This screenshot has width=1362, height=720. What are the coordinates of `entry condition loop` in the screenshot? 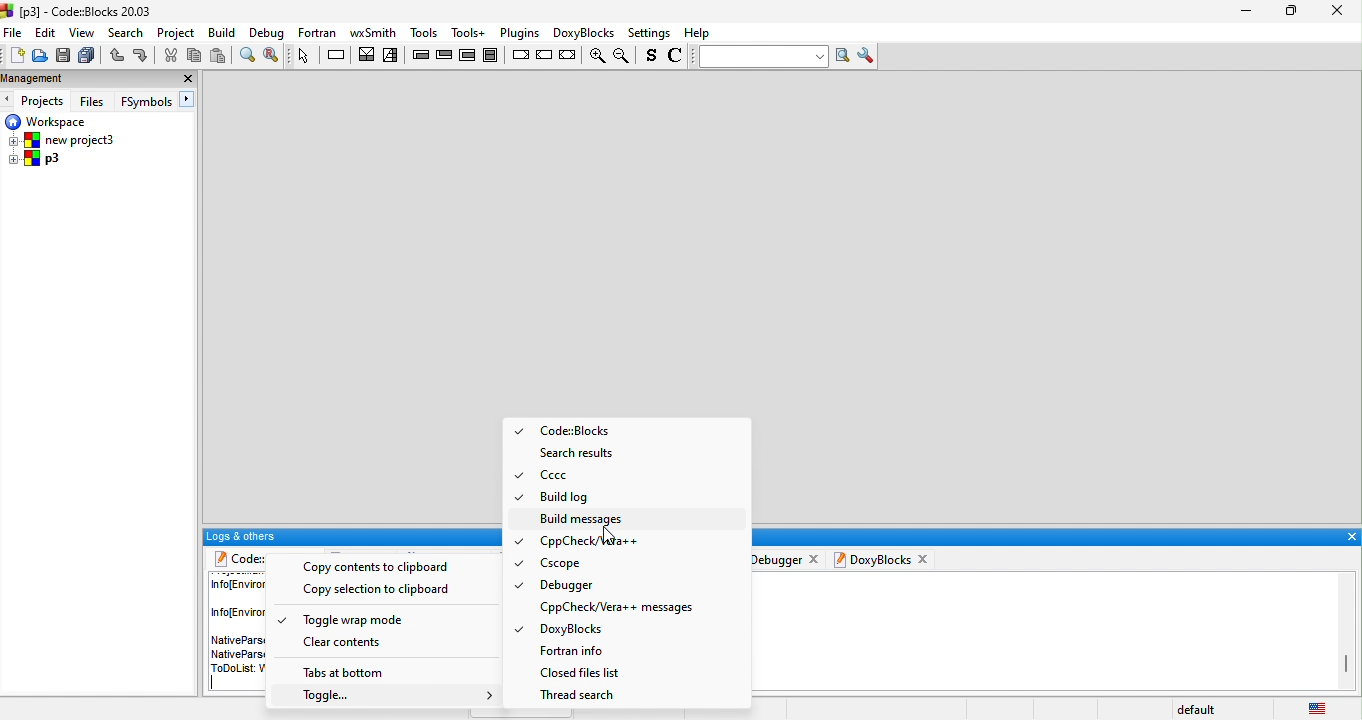 It's located at (420, 54).